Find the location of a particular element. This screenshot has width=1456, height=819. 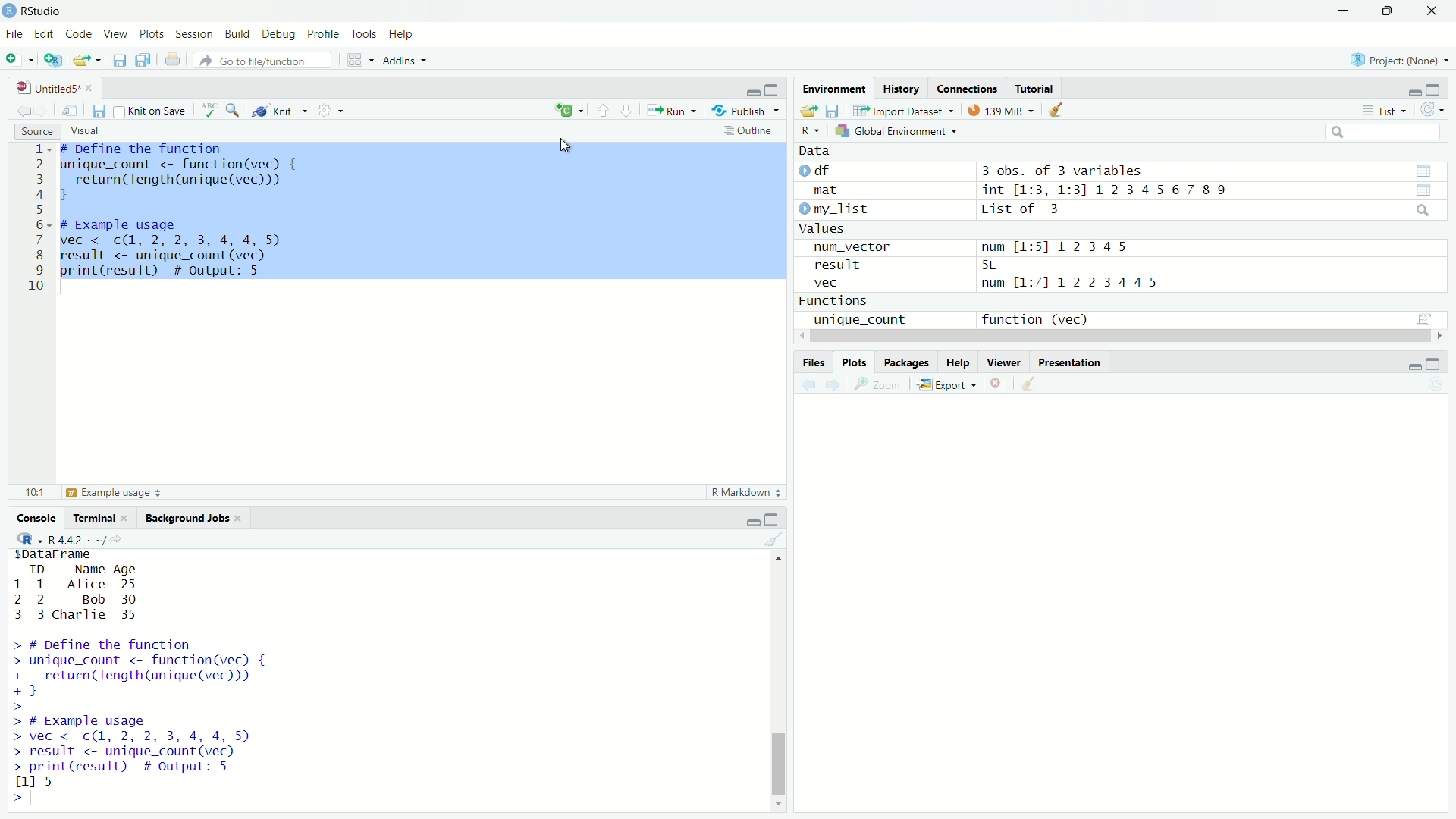

Background is located at coordinates (189, 518).